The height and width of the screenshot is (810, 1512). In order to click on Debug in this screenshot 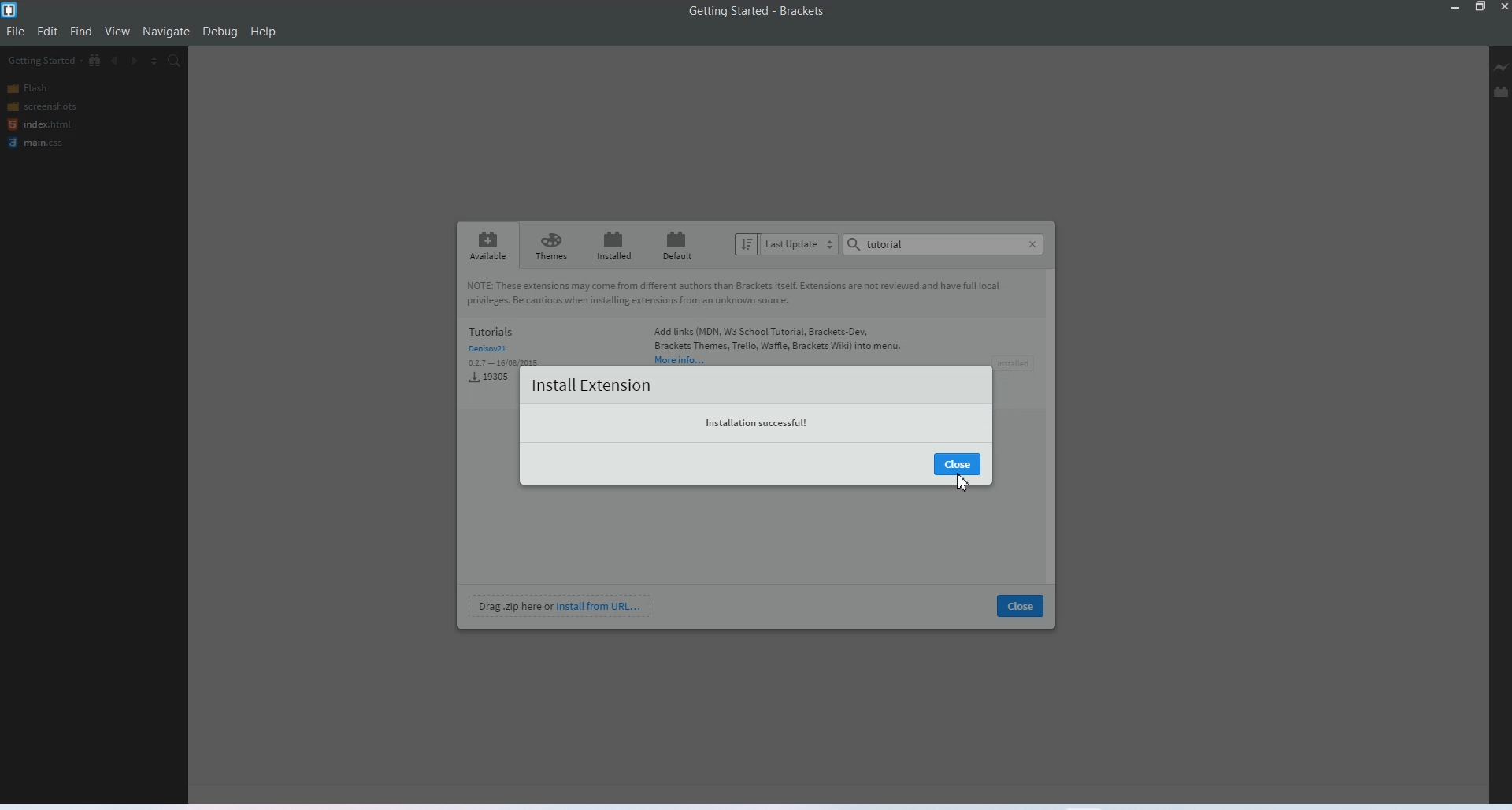, I will do `click(220, 32)`.